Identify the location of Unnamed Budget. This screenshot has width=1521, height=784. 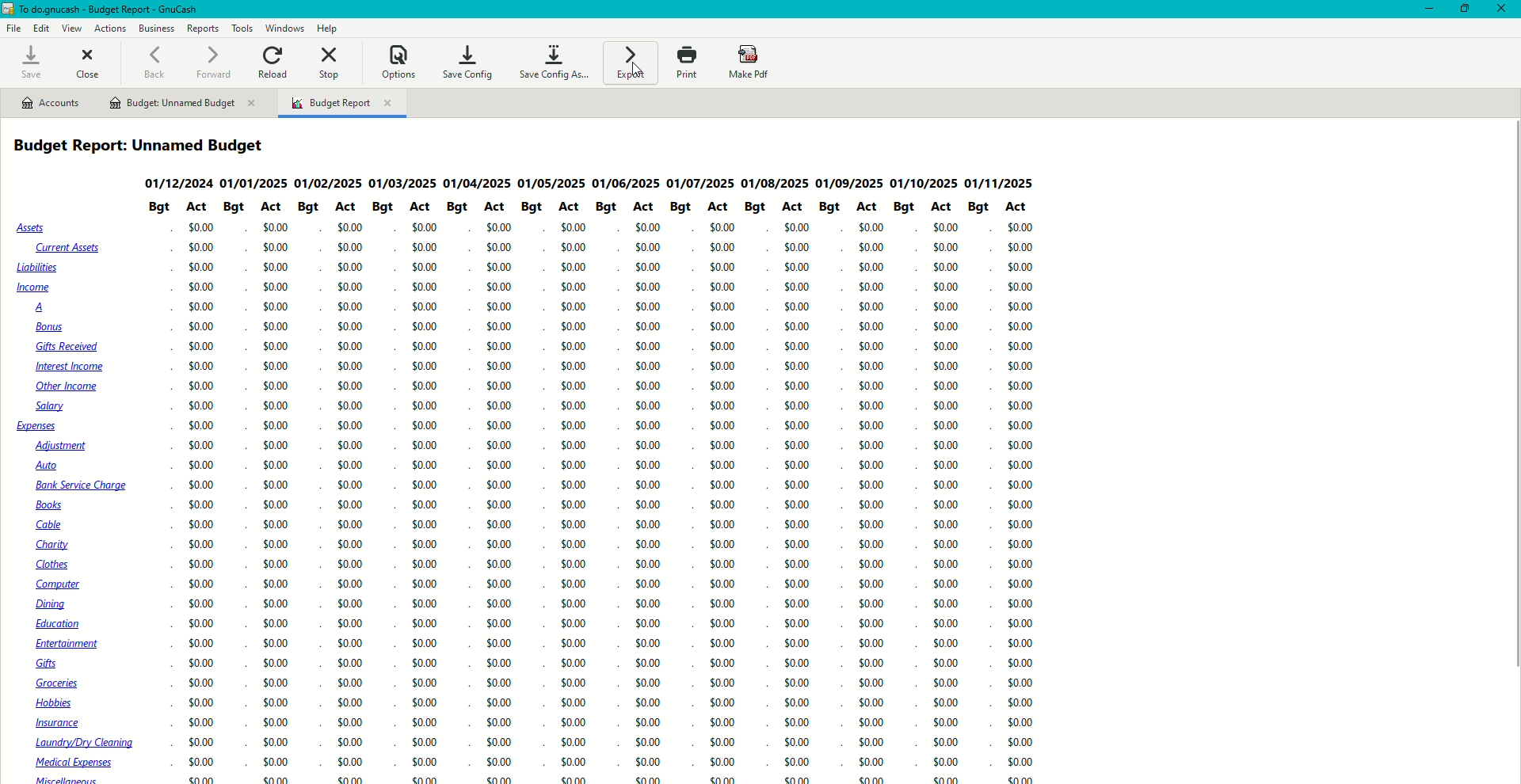
(183, 104).